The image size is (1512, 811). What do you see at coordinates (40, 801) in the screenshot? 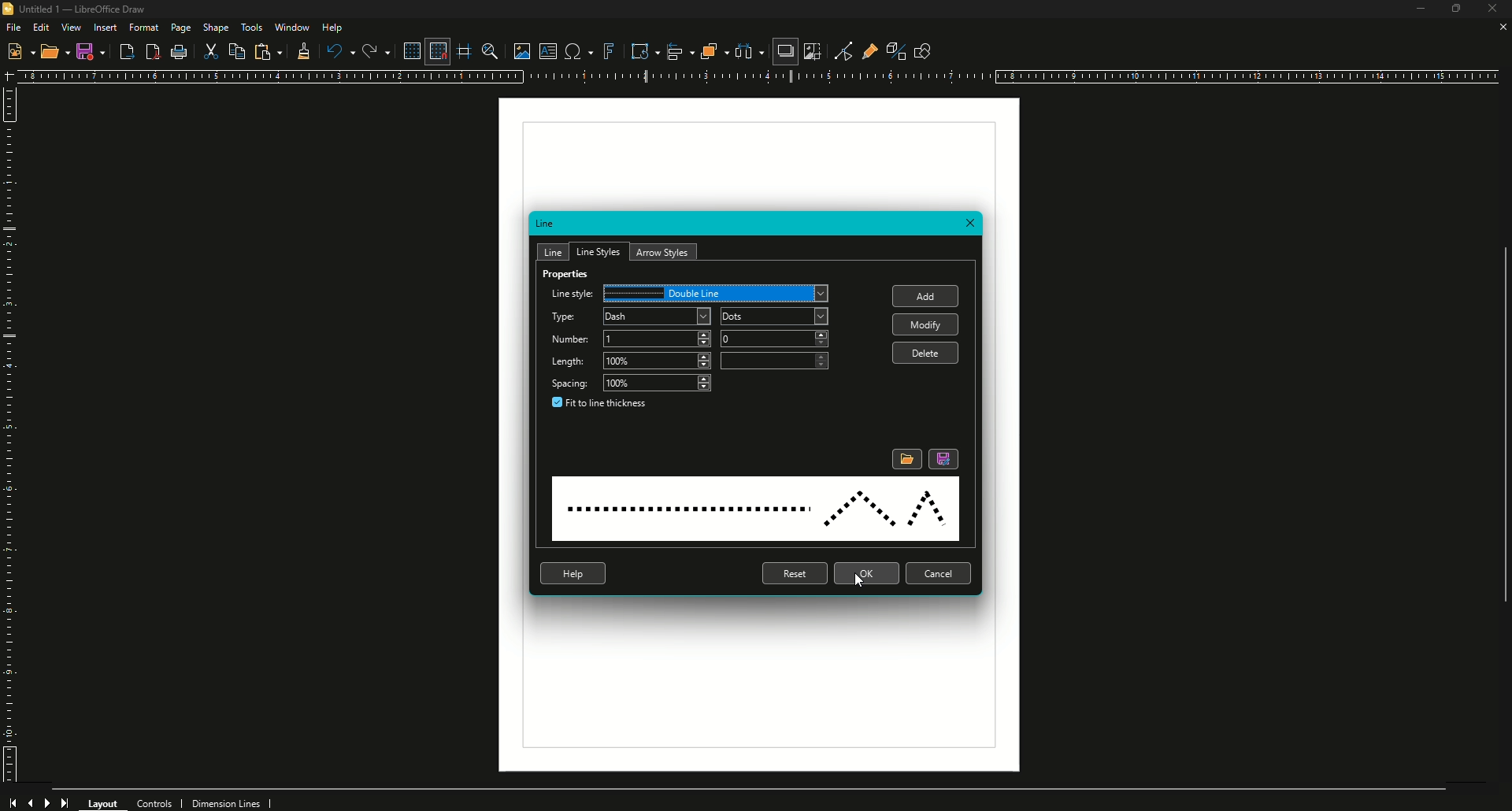
I see `forward and backward button` at bounding box center [40, 801].